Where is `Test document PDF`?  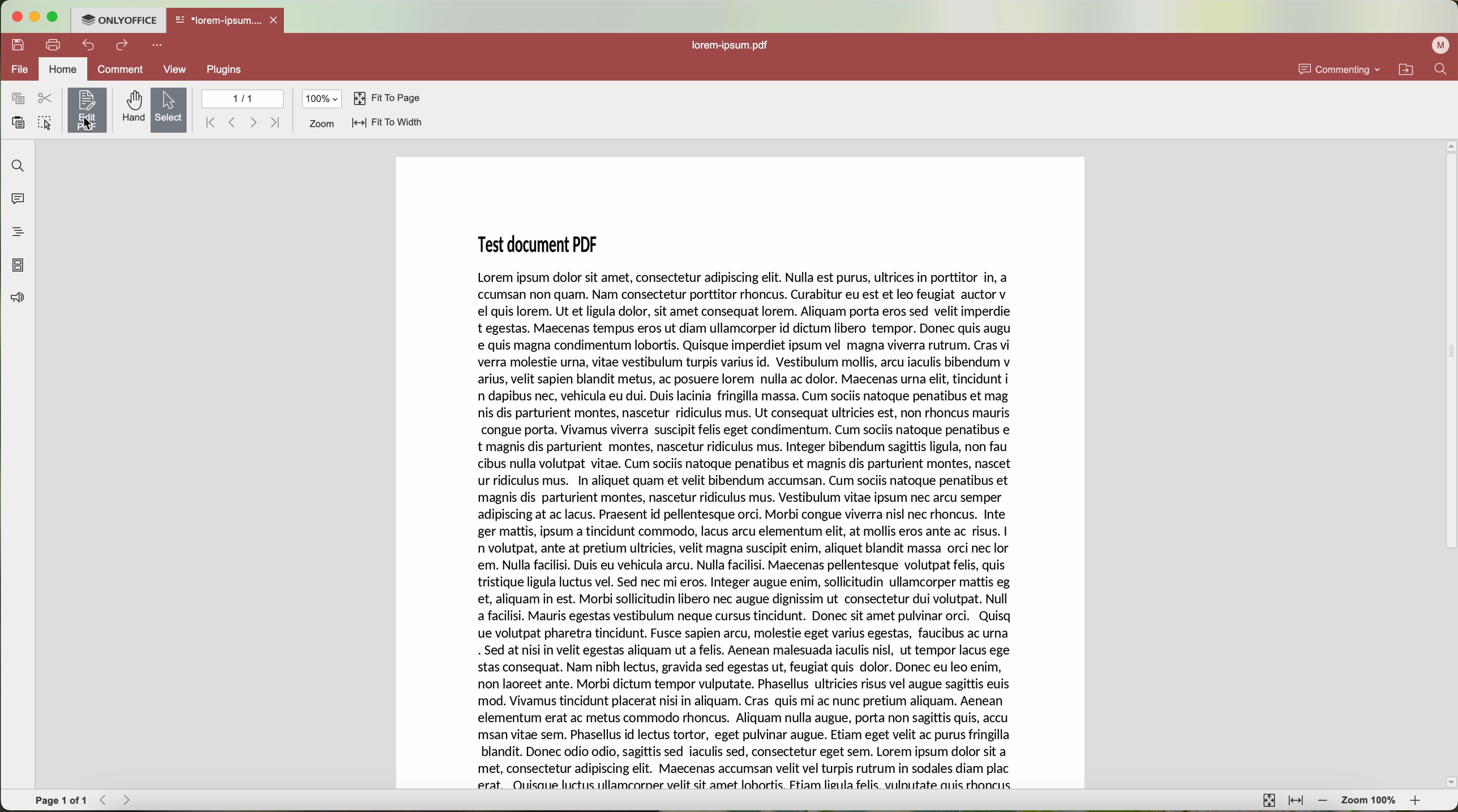 Test document PDF is located at coordinates (540, 242).